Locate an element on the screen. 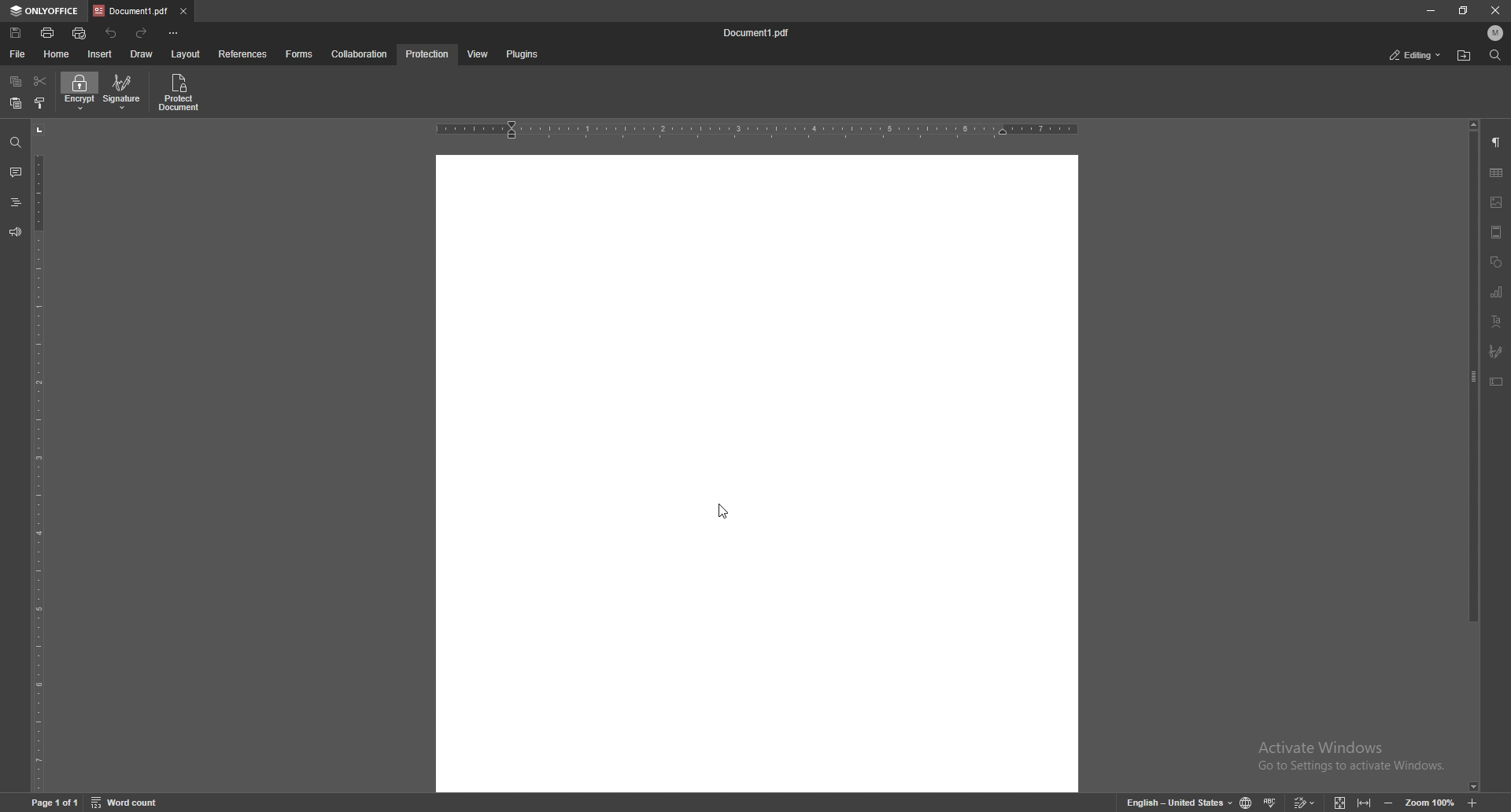  minimize is located at coordinates (1430, 10).